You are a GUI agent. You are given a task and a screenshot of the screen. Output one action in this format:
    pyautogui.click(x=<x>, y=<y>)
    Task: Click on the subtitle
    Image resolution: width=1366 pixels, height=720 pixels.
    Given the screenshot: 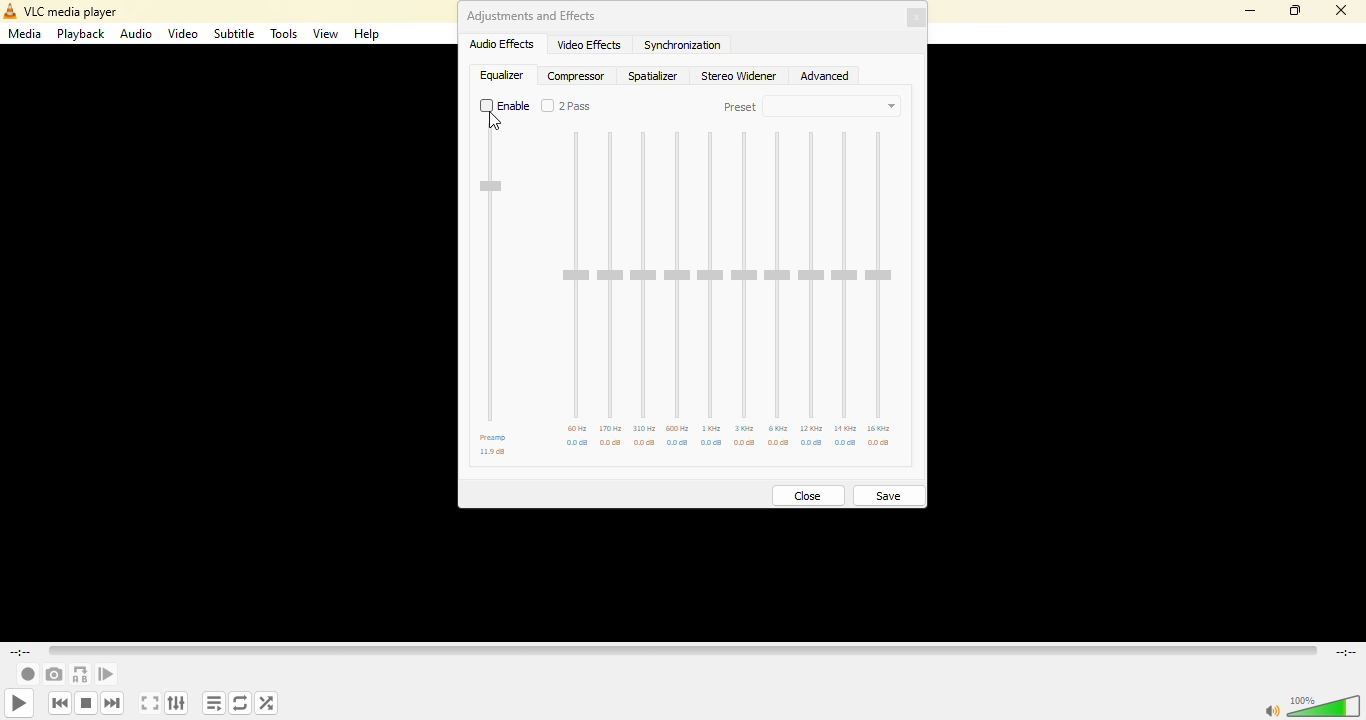 What is the action you would take?
    pyautogui.click(x=235, y=34)
    